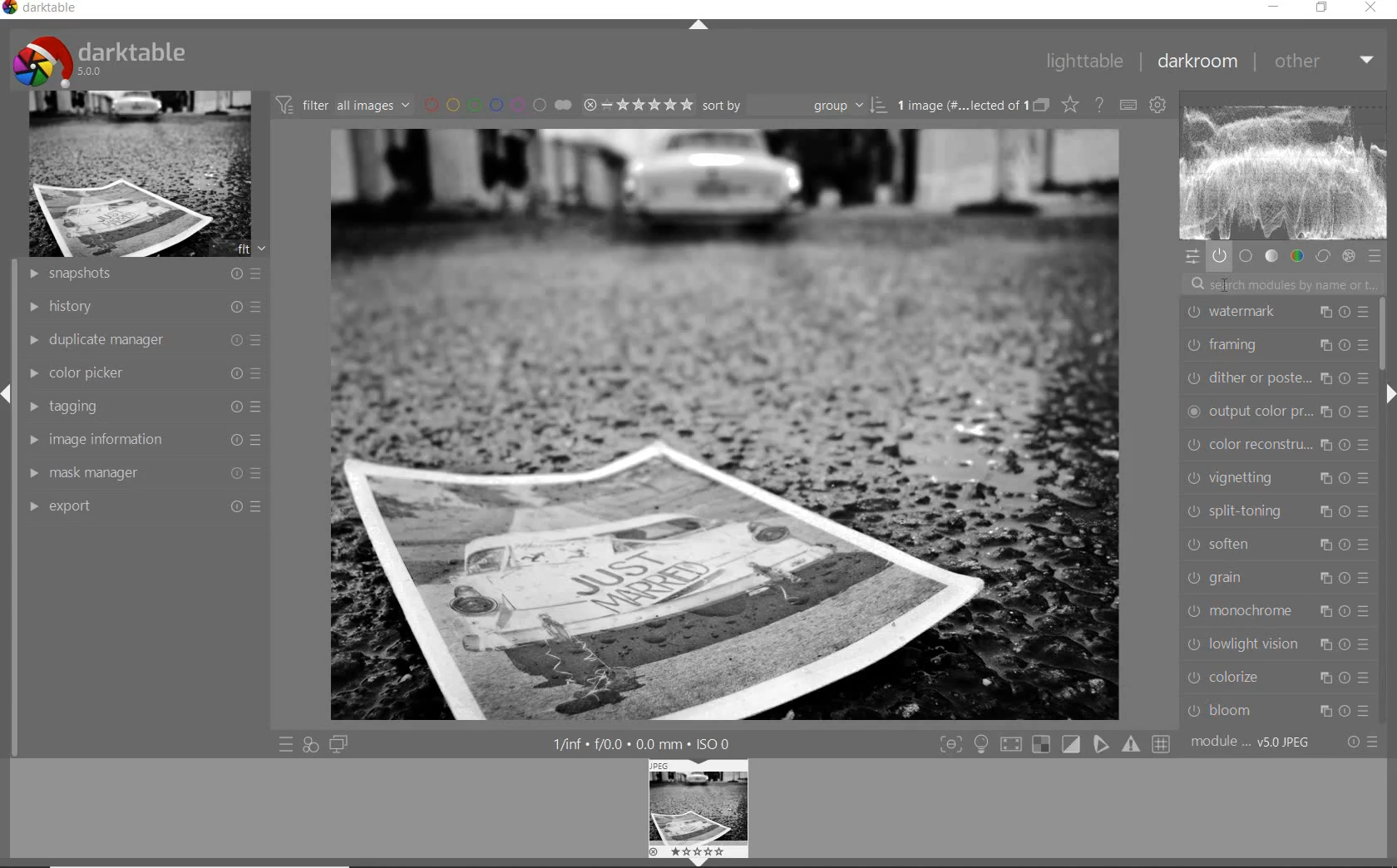  What do you see at coordinates (286, 742) in the screenshot?
I see `quick access to preset` at bounding box center [286, 742].